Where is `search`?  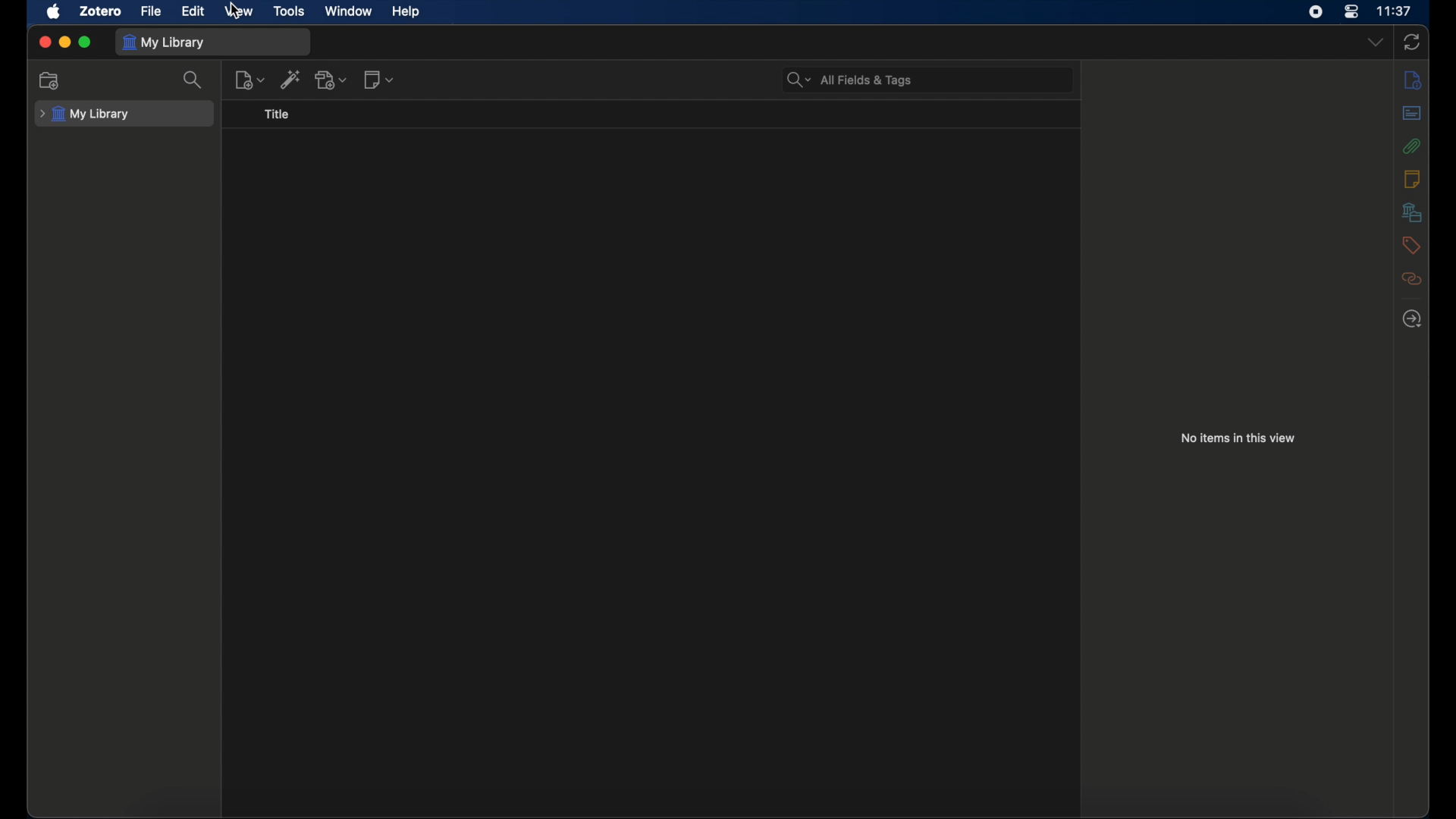
search is located at coordinates (196, 80).